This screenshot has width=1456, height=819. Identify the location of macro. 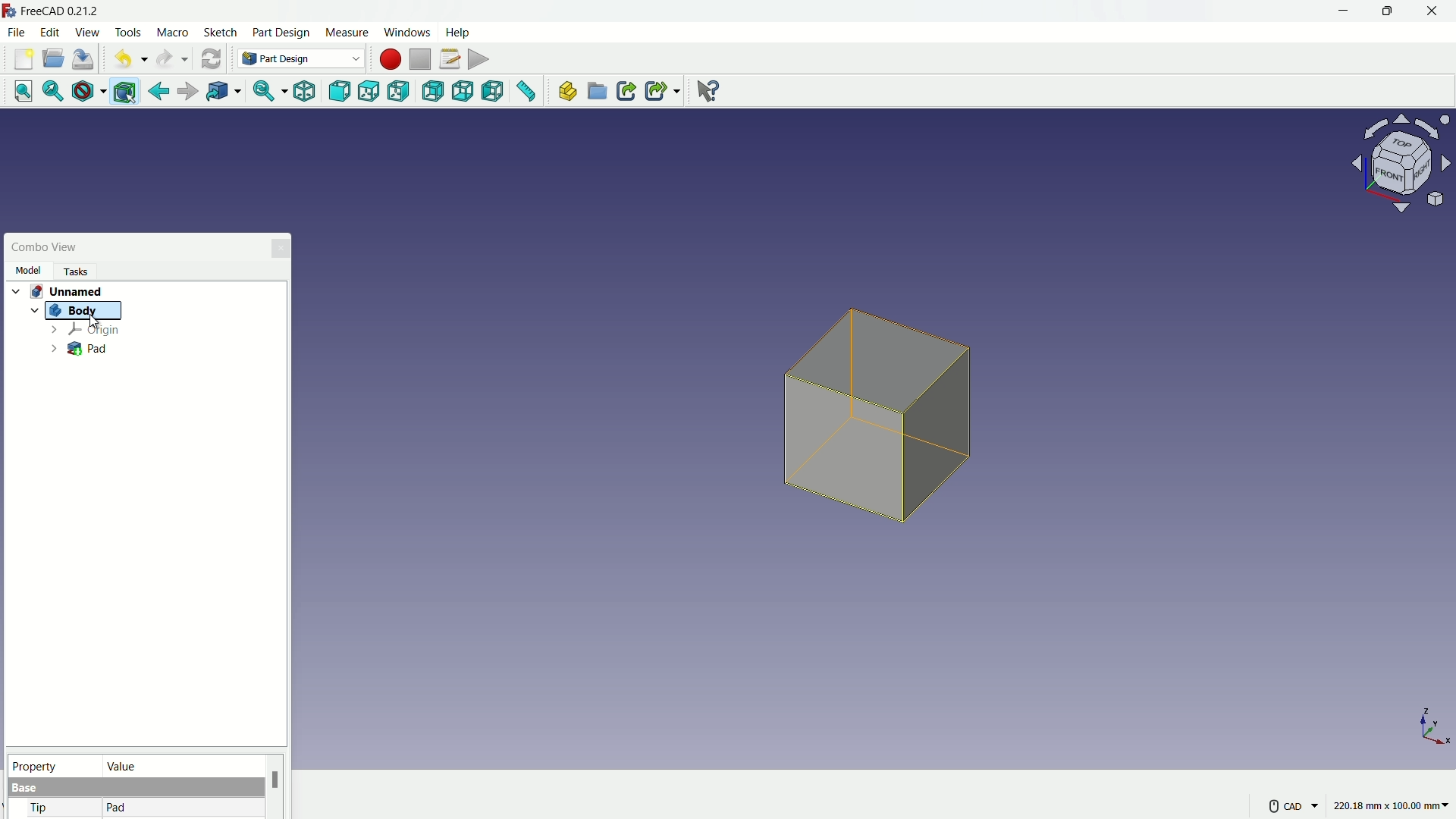
(174, 33).